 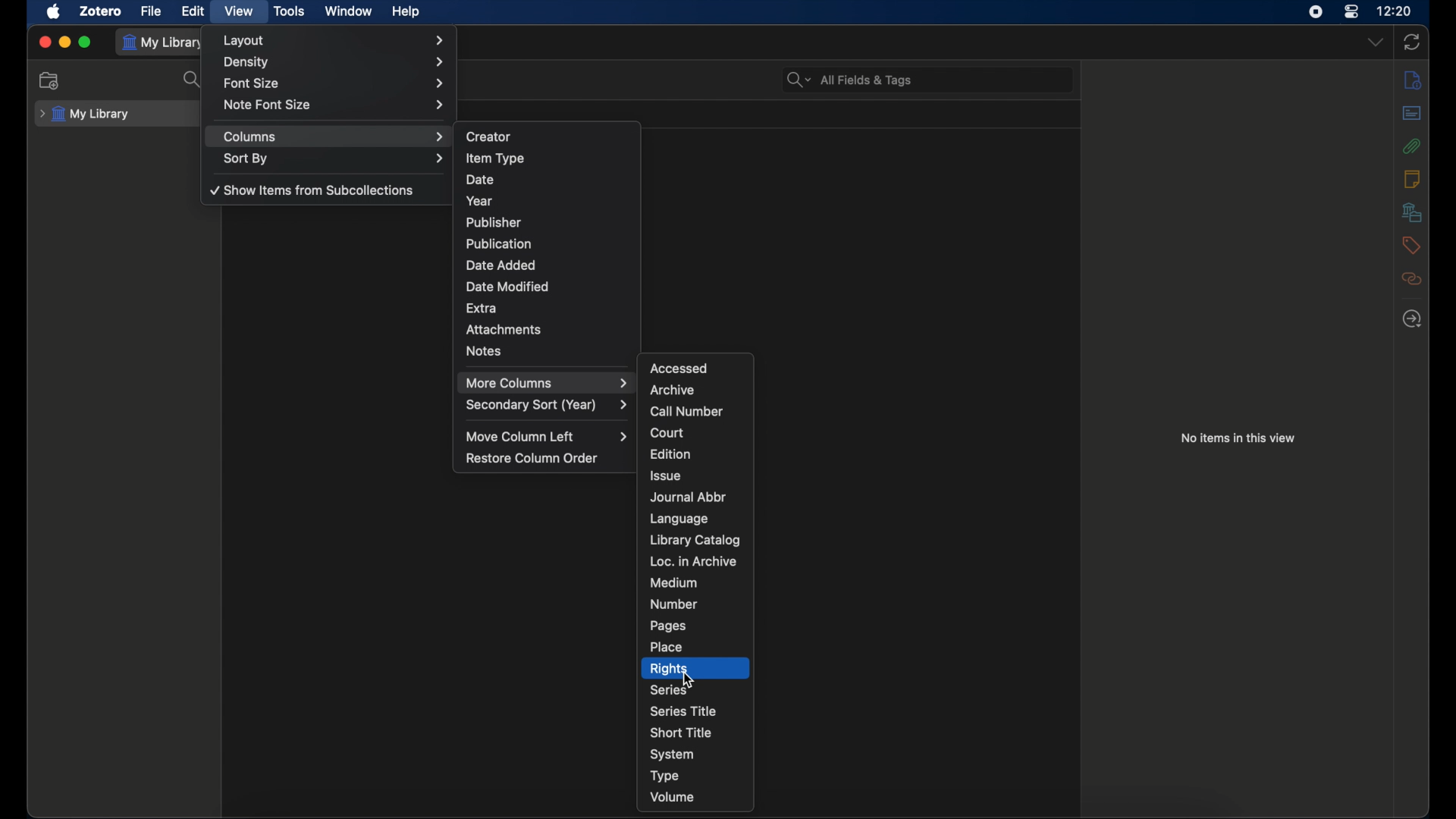 I want to click on language, so click(x=682, y=519).